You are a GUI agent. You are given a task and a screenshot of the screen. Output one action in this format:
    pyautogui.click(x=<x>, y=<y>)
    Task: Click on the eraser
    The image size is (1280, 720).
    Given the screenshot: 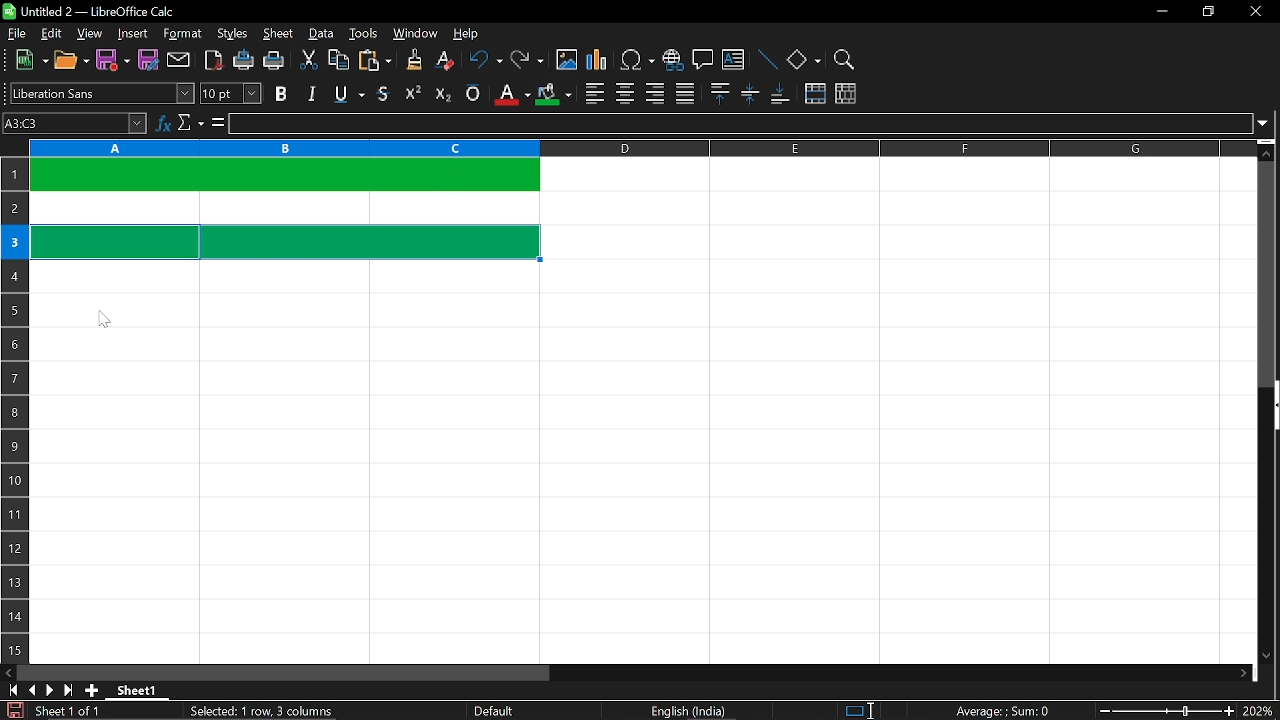 What is the action you would take?
    pyautogui.click(x=442, y=61)
    